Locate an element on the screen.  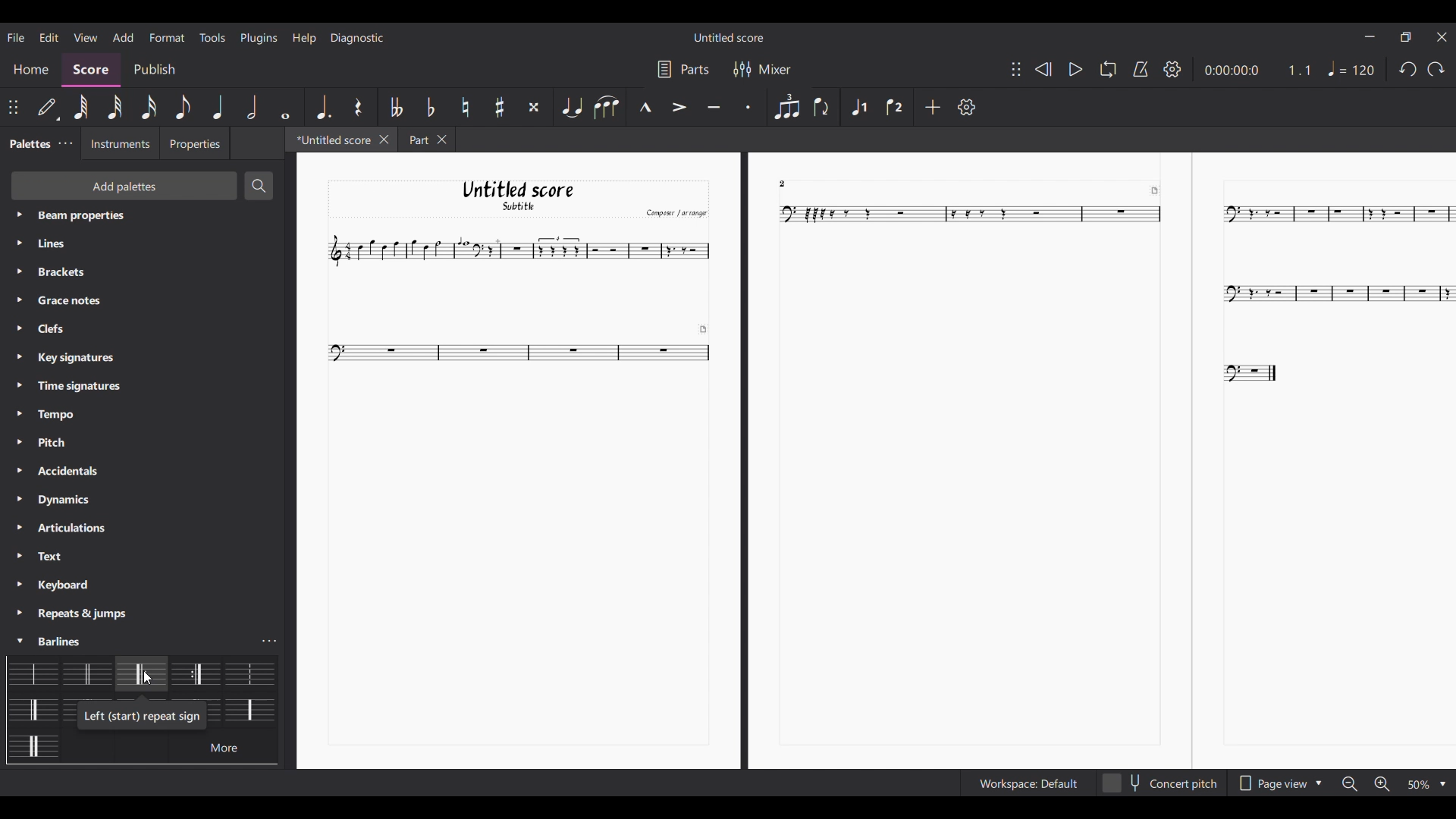
Palette settings is located at coordinates (77, 301).